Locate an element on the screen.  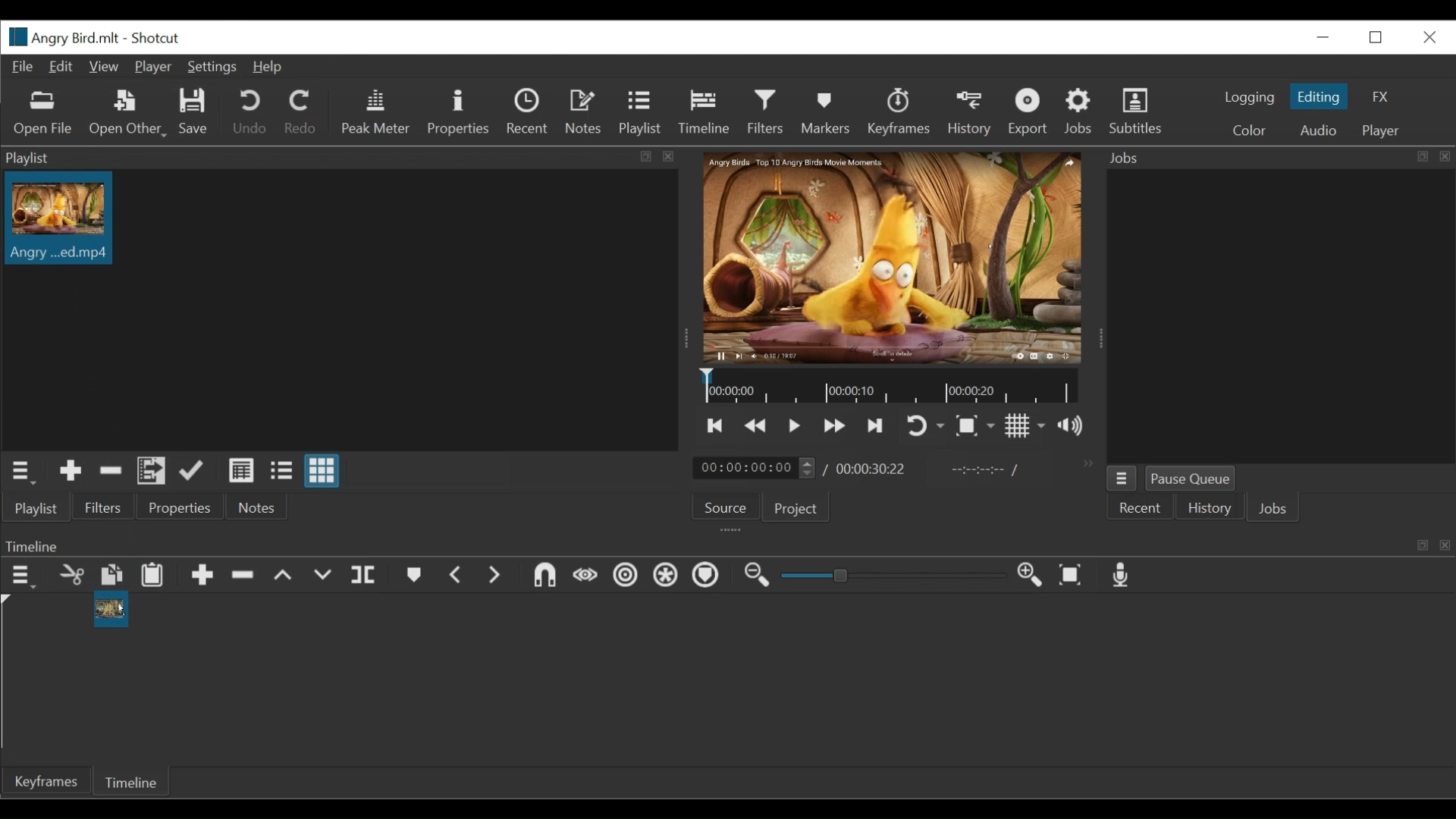
Playlist is located at coordinates (642, 113).